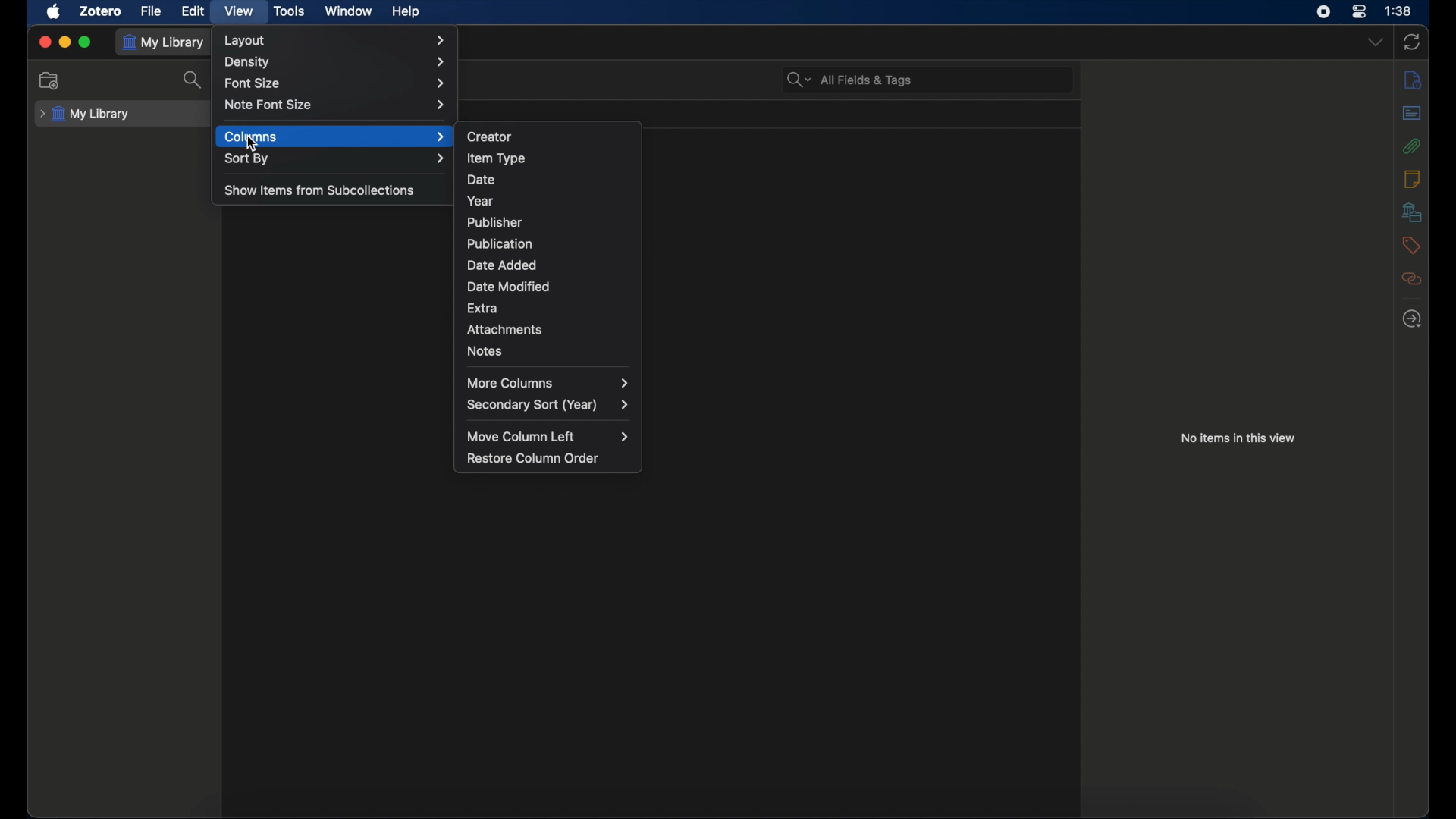  What do you see at coordinates (1323, 12) in the screenshot?
I see `screen recorder` at bounding box center [1323, 12].